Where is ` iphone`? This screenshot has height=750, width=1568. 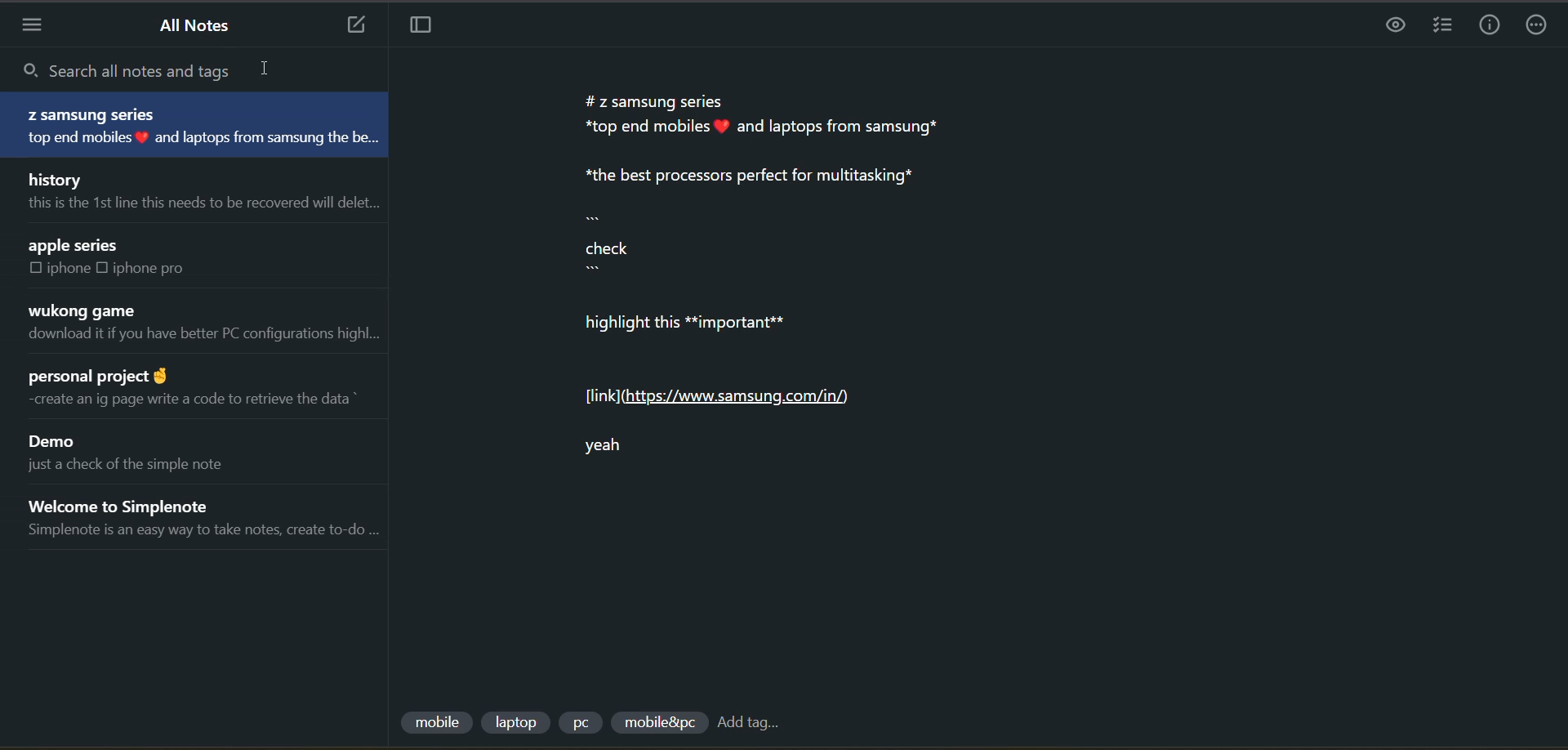  iphone is located at coordinates (67, 268).